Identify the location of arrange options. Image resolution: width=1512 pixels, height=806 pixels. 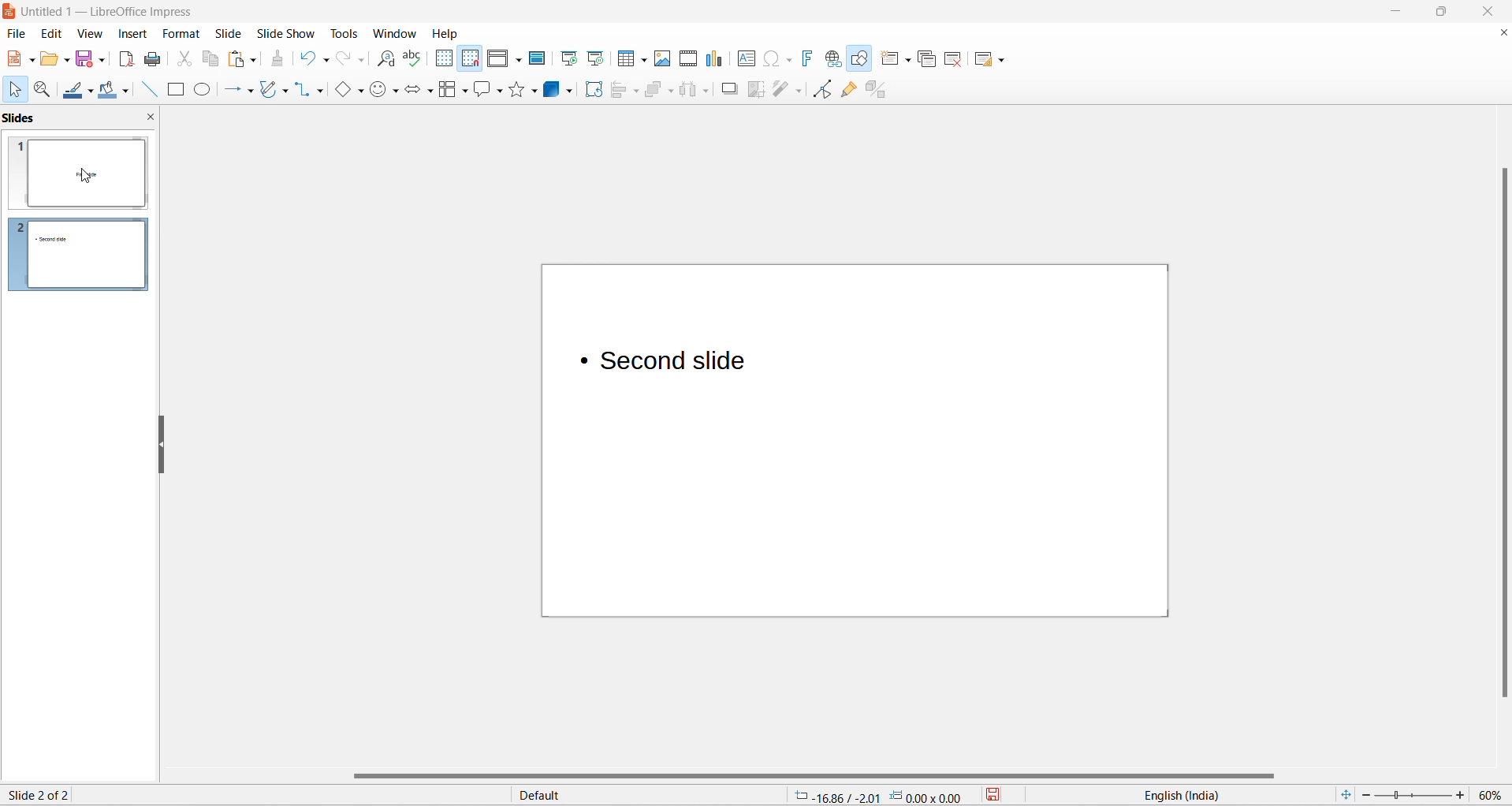
(672, 90).